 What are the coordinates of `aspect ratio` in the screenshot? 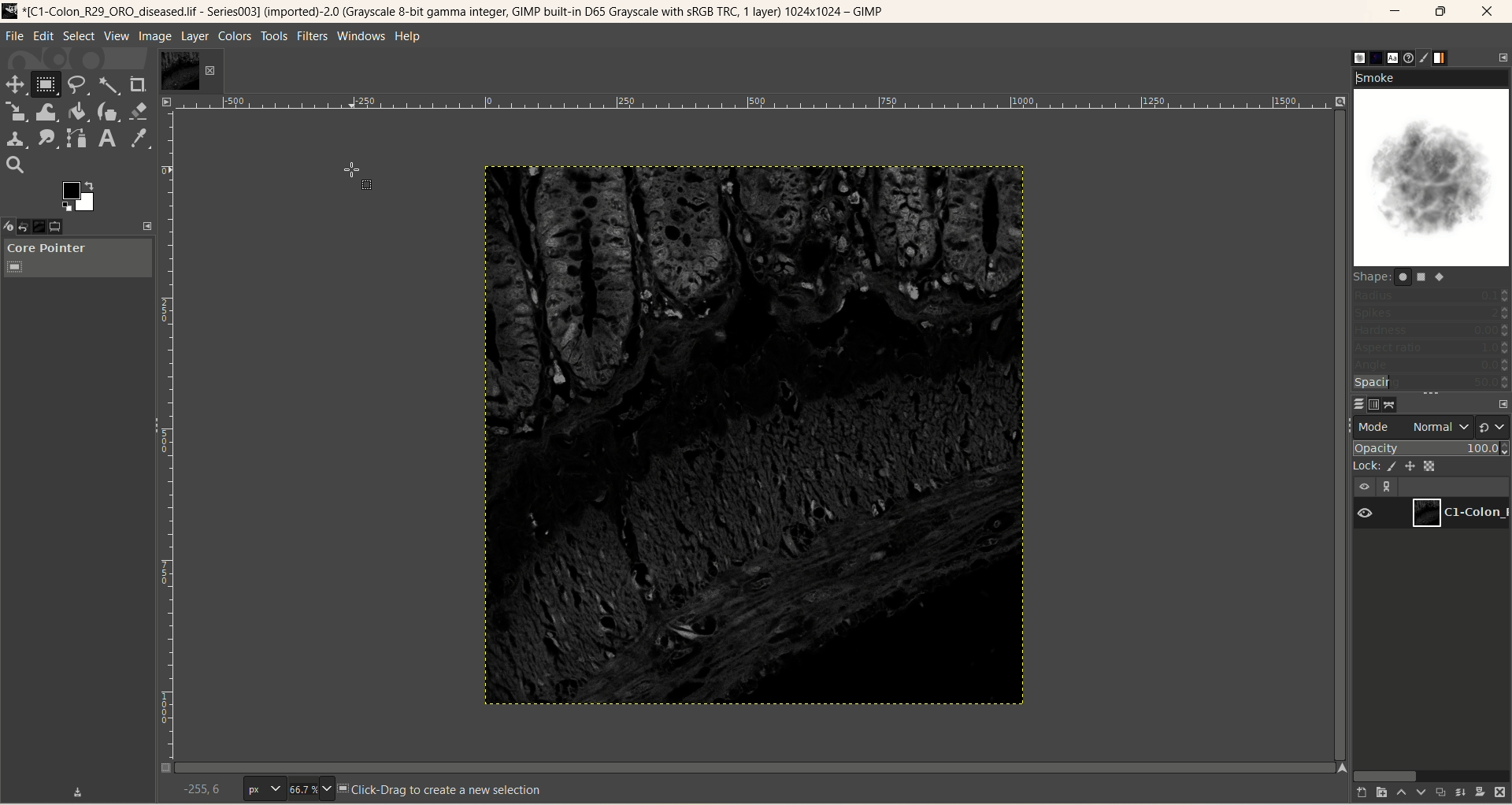 It's located at (1432, 347).